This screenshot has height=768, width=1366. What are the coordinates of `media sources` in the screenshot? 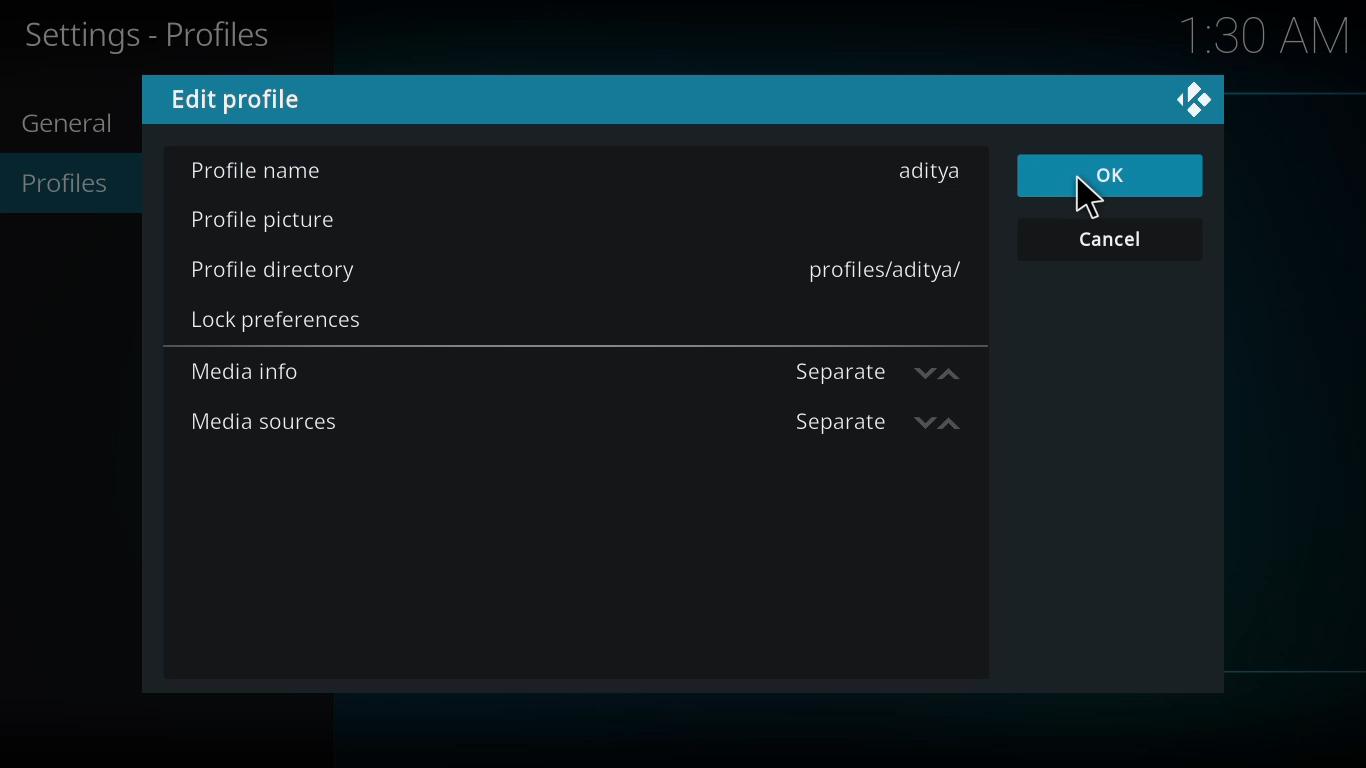 It's located at (264, 419).